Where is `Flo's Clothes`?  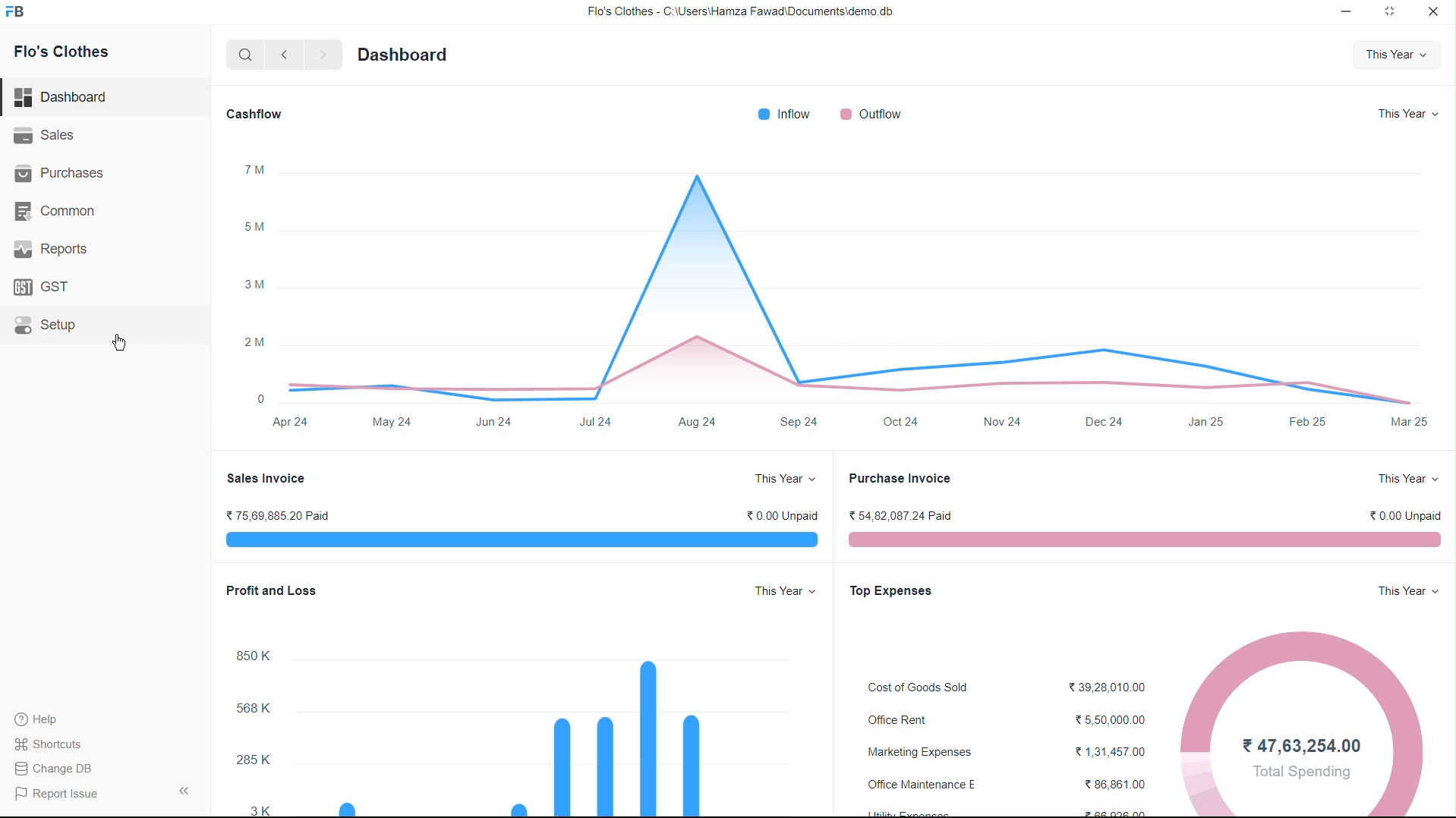
Flo's Clothes is located at coordinates (68, 54).